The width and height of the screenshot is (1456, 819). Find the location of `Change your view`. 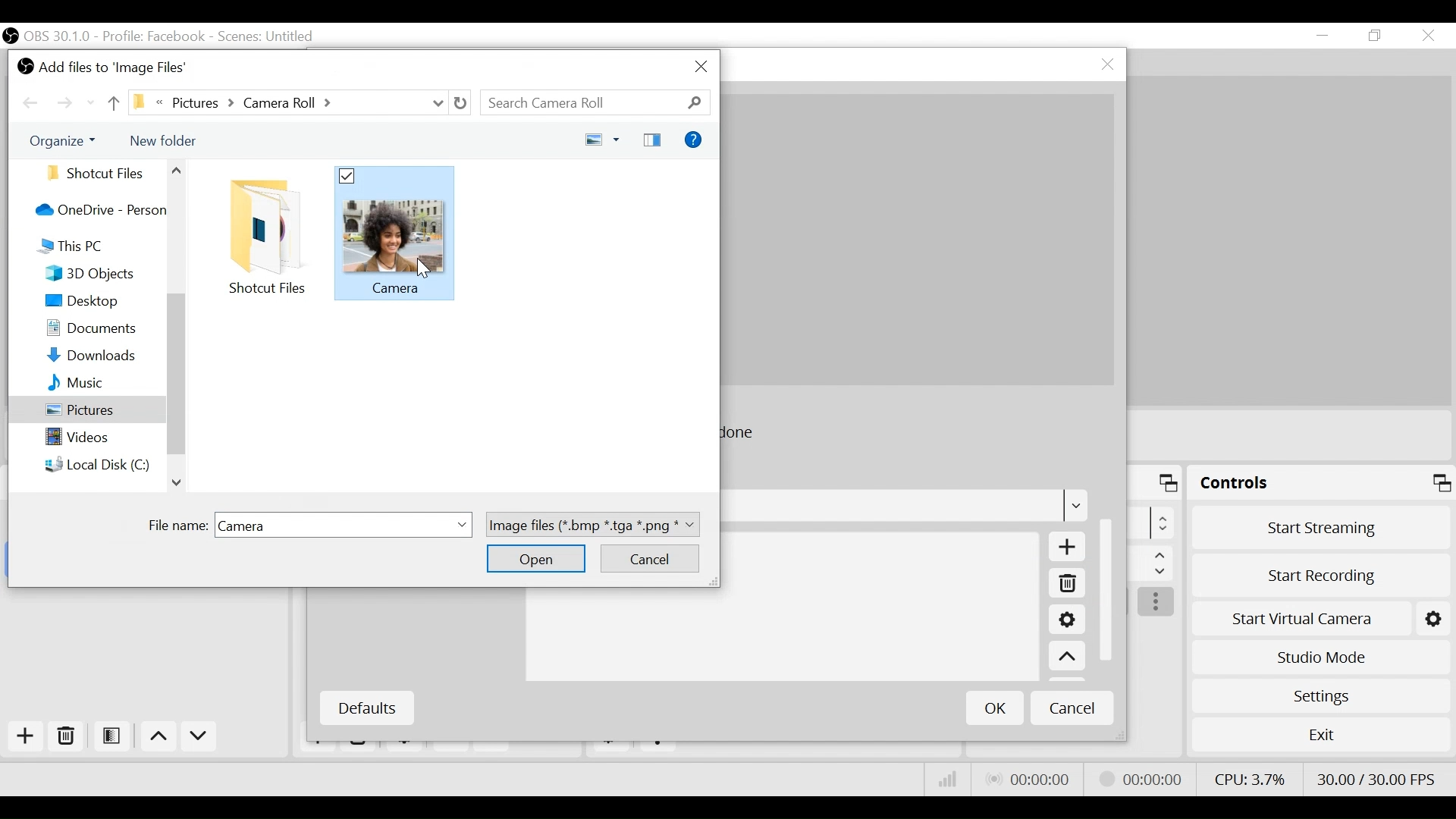

Change your view is located at coordinates (603, 138).